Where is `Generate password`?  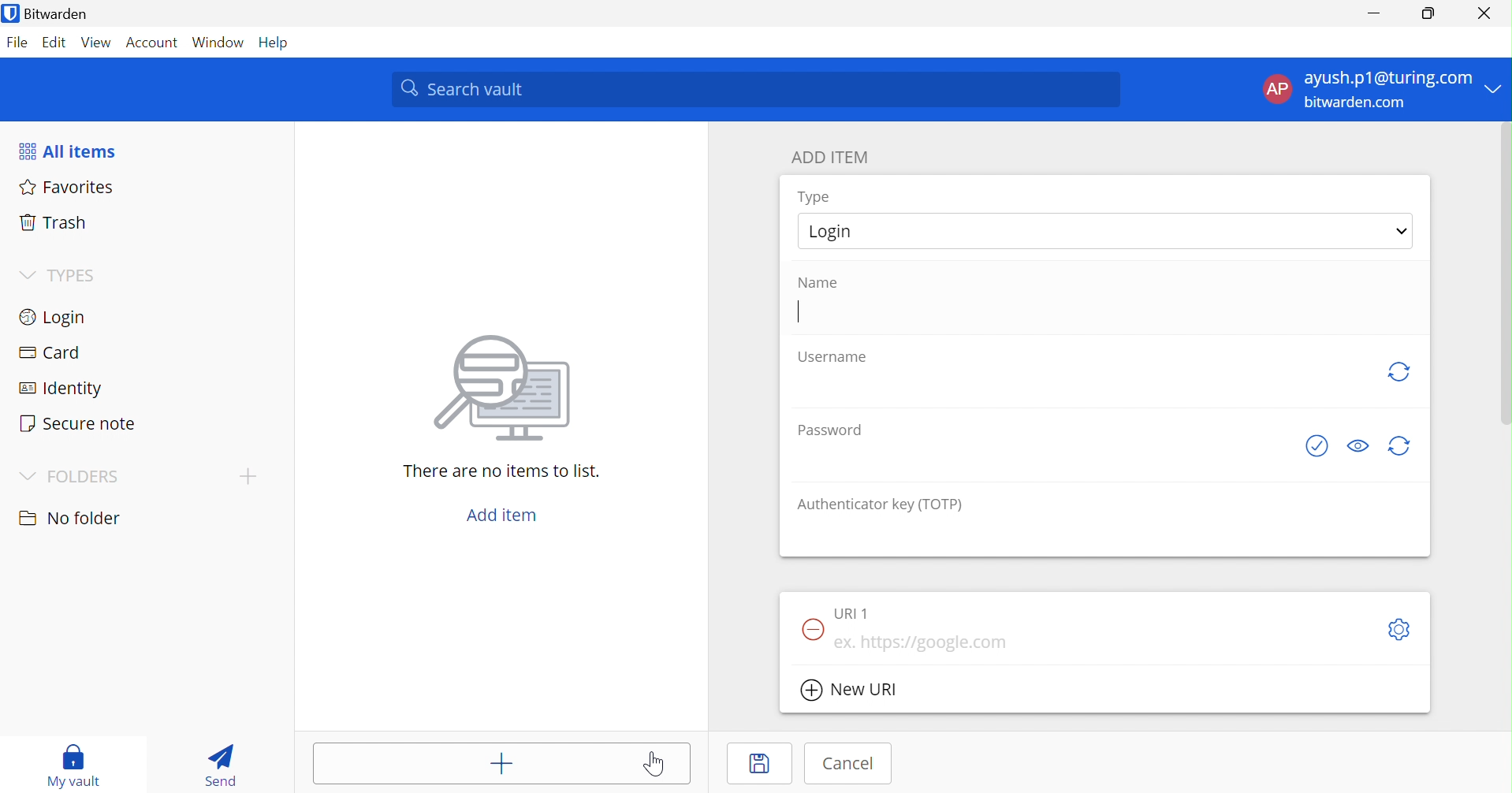 Generate password is located at coordinates (1398, 446).